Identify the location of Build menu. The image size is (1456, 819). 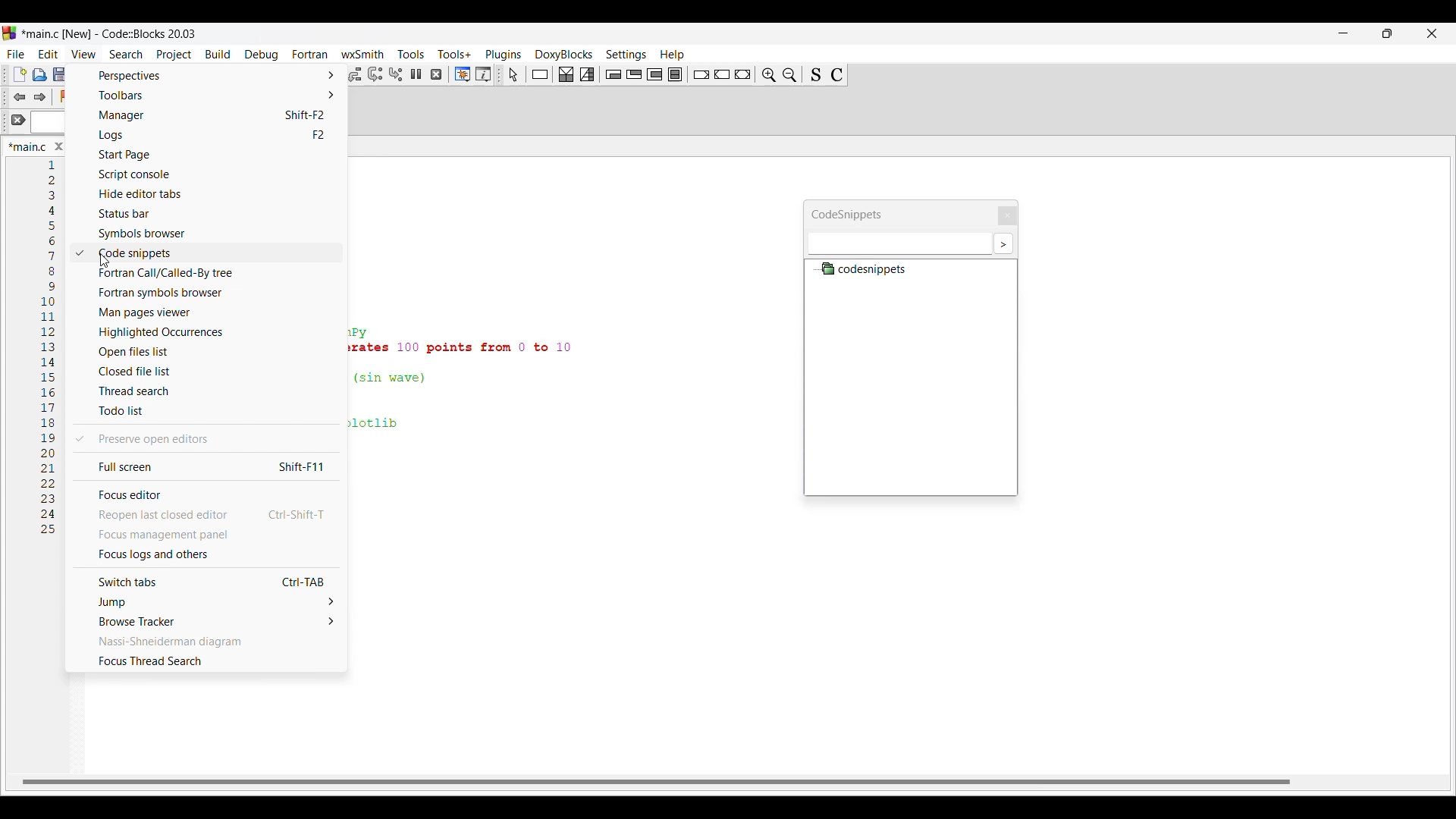
(218, 54).